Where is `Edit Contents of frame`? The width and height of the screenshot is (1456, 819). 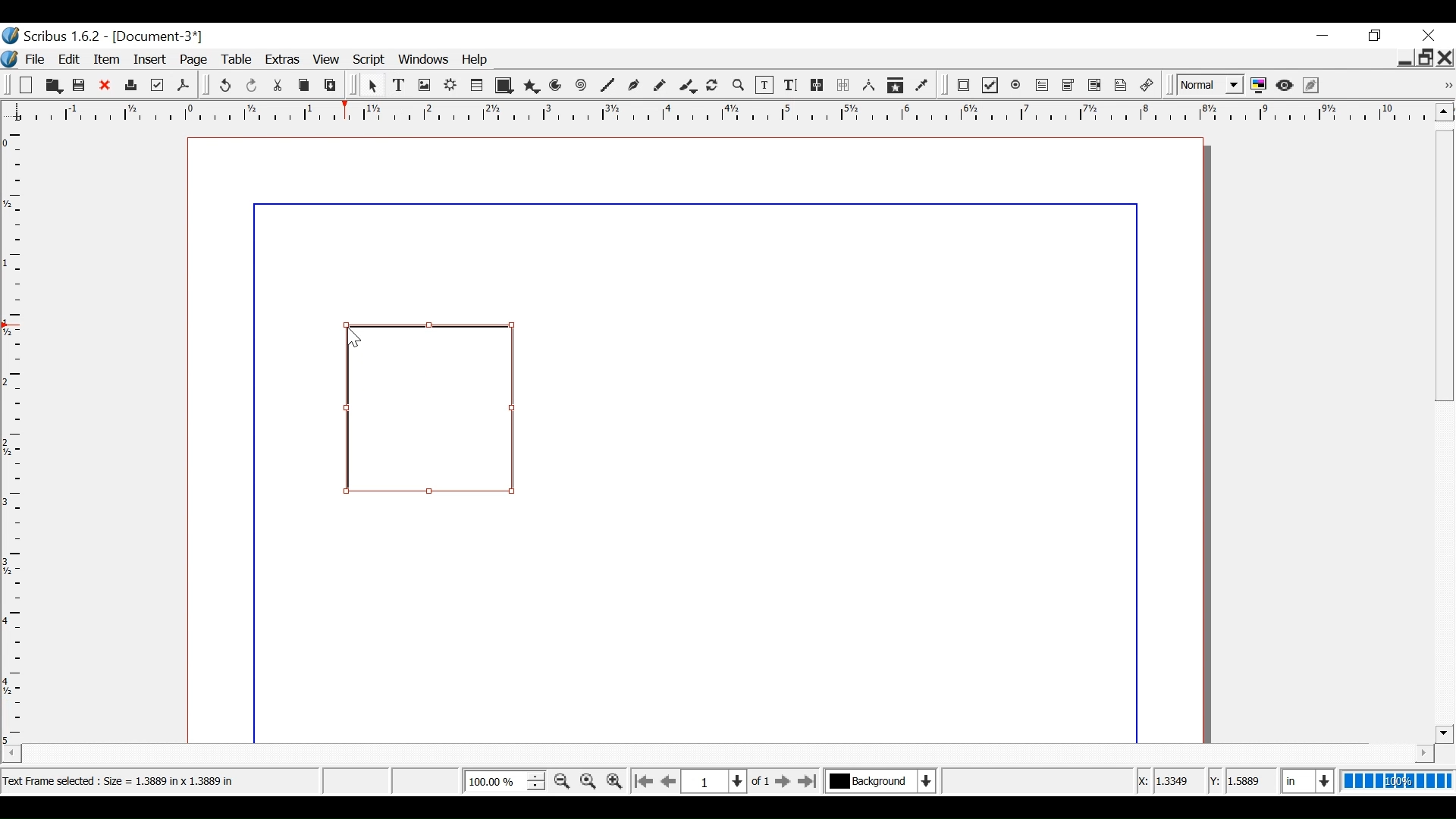
Edit Contents of frame is located at coordinates (764, 86).